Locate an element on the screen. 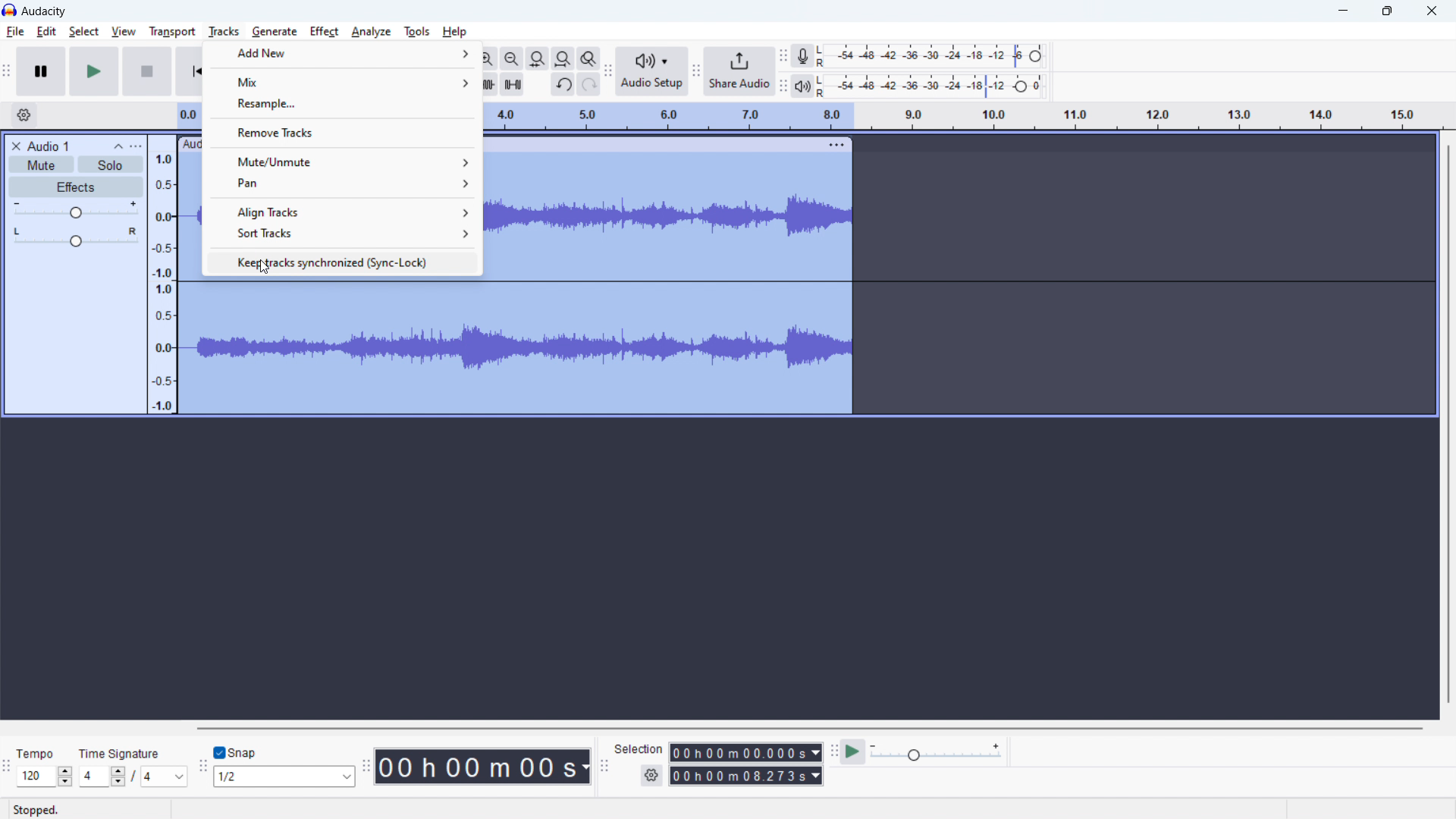 The height and width of the screenshot is (819, 1456). selection toolbar is located at coordinates (604, 764).